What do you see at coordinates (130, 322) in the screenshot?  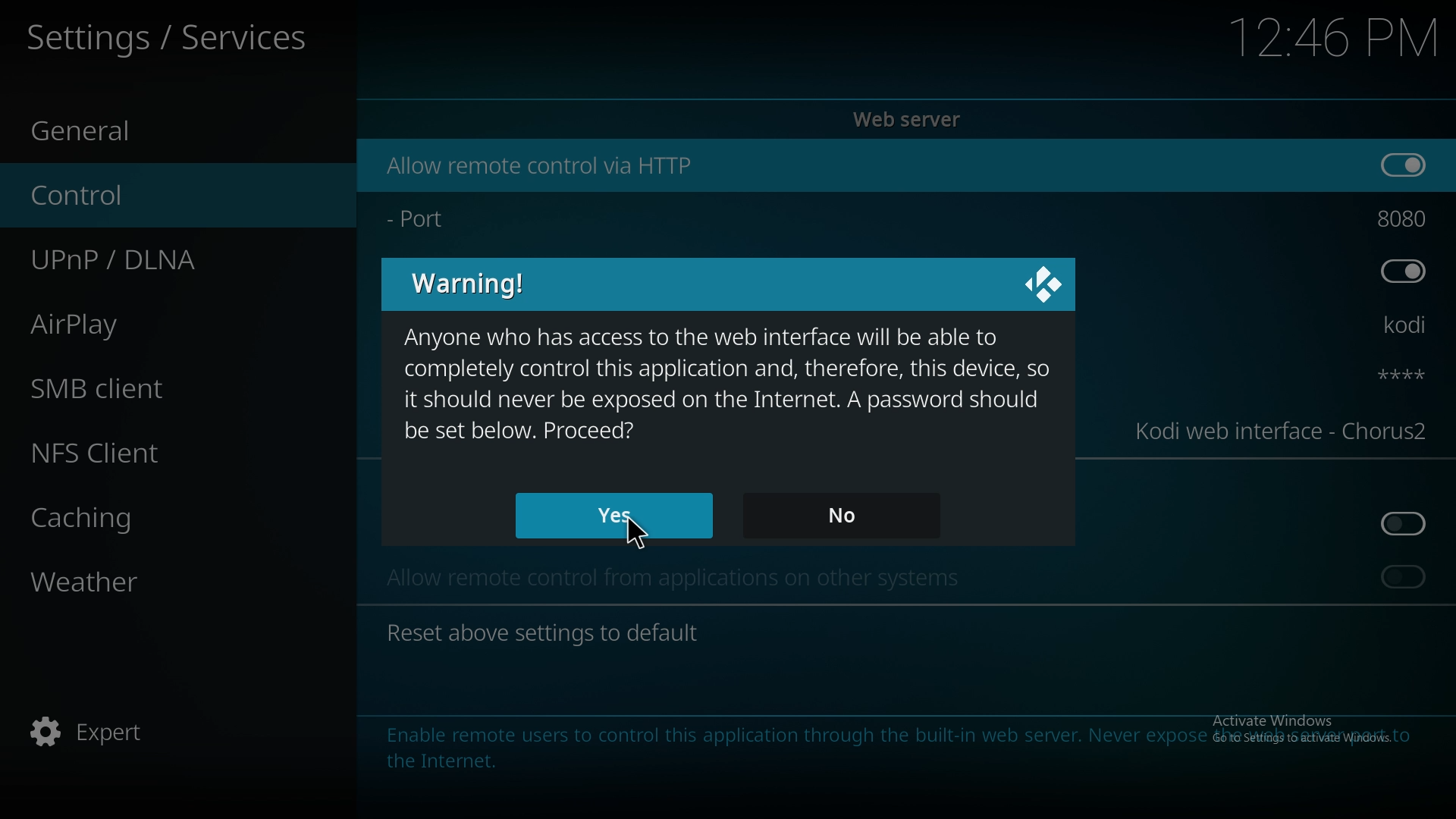 I see `airplay` at bounding box center [130, 322].